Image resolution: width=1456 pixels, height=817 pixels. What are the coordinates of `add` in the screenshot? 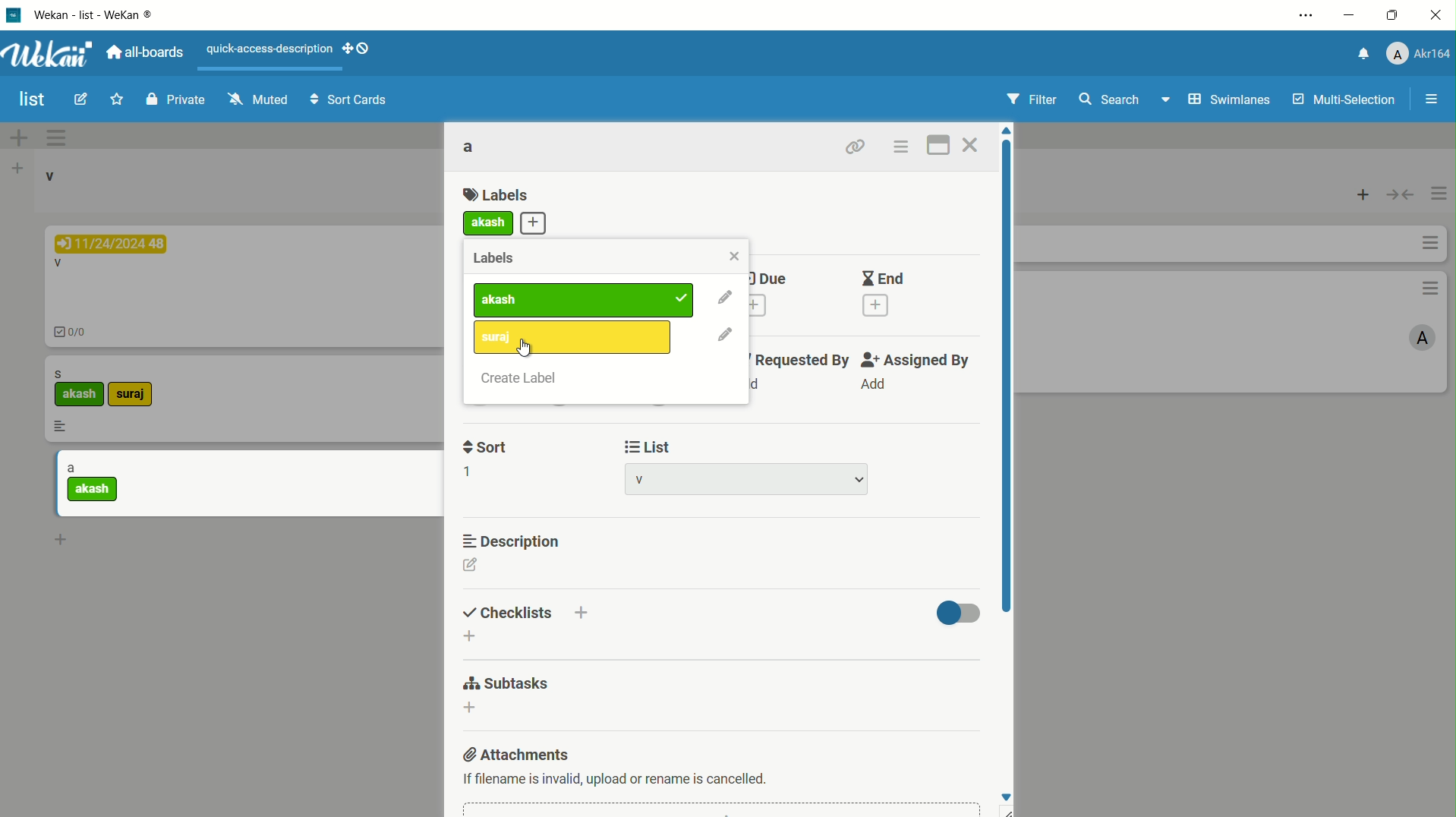 It's located at (15, 138).